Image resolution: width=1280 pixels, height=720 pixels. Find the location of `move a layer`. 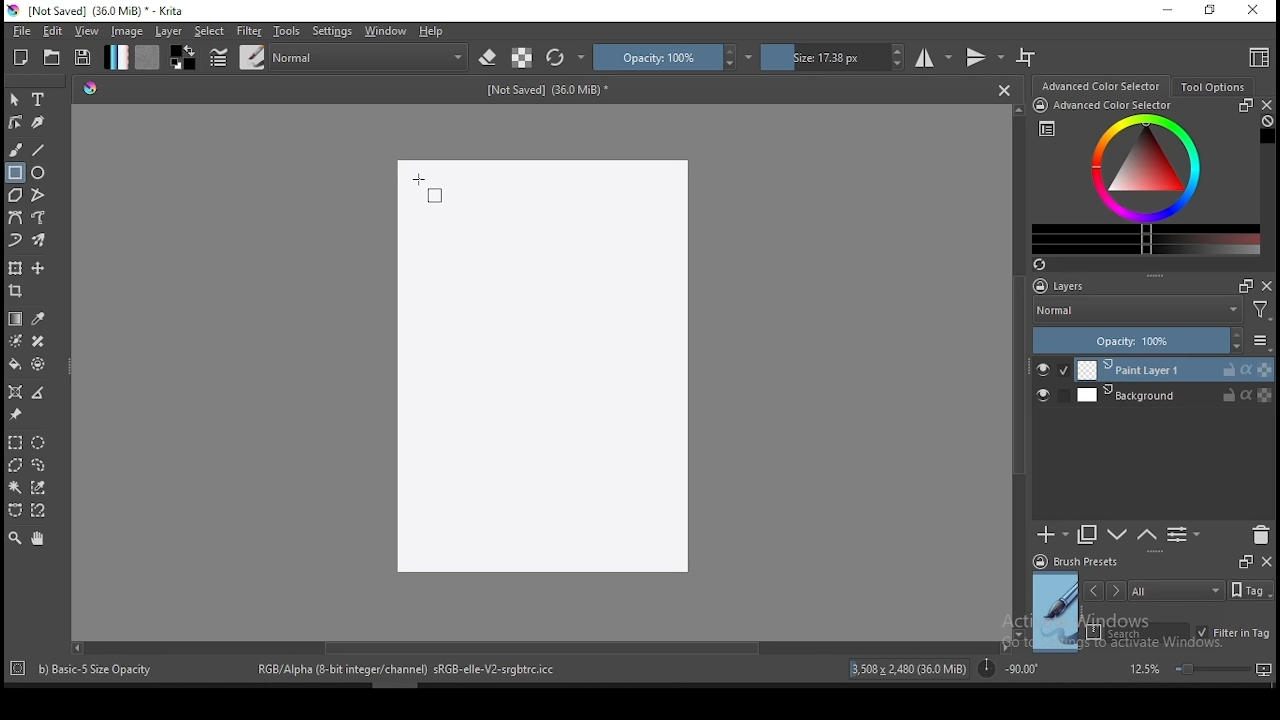

move a layer is located at coordinates (38, 269).